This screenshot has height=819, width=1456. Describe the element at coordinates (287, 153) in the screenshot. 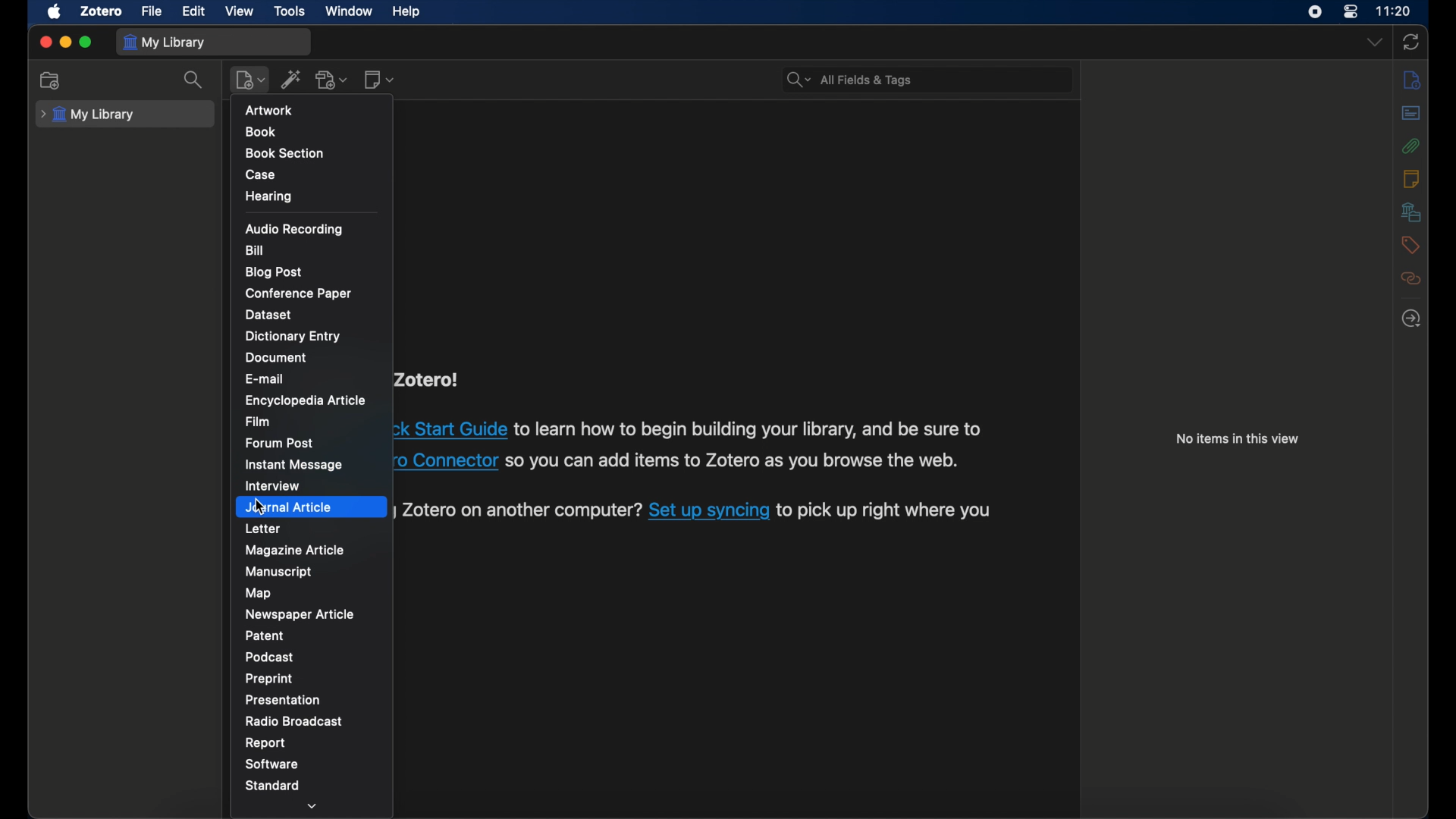

I see `book section` at that location.